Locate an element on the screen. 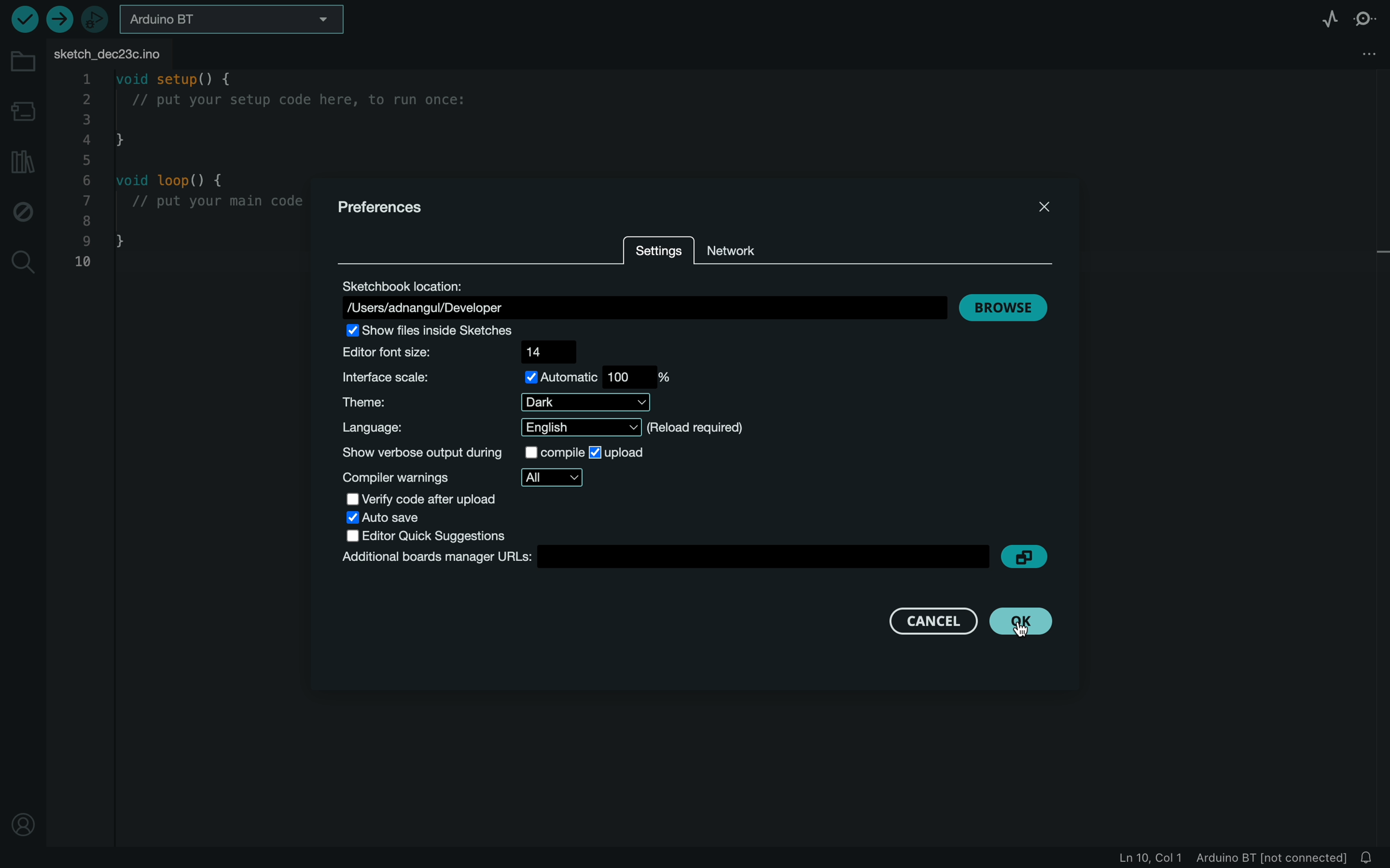 Image resolution: width=1390 pixels, height=868 pixels. show files is located at coordinates (442, 331).